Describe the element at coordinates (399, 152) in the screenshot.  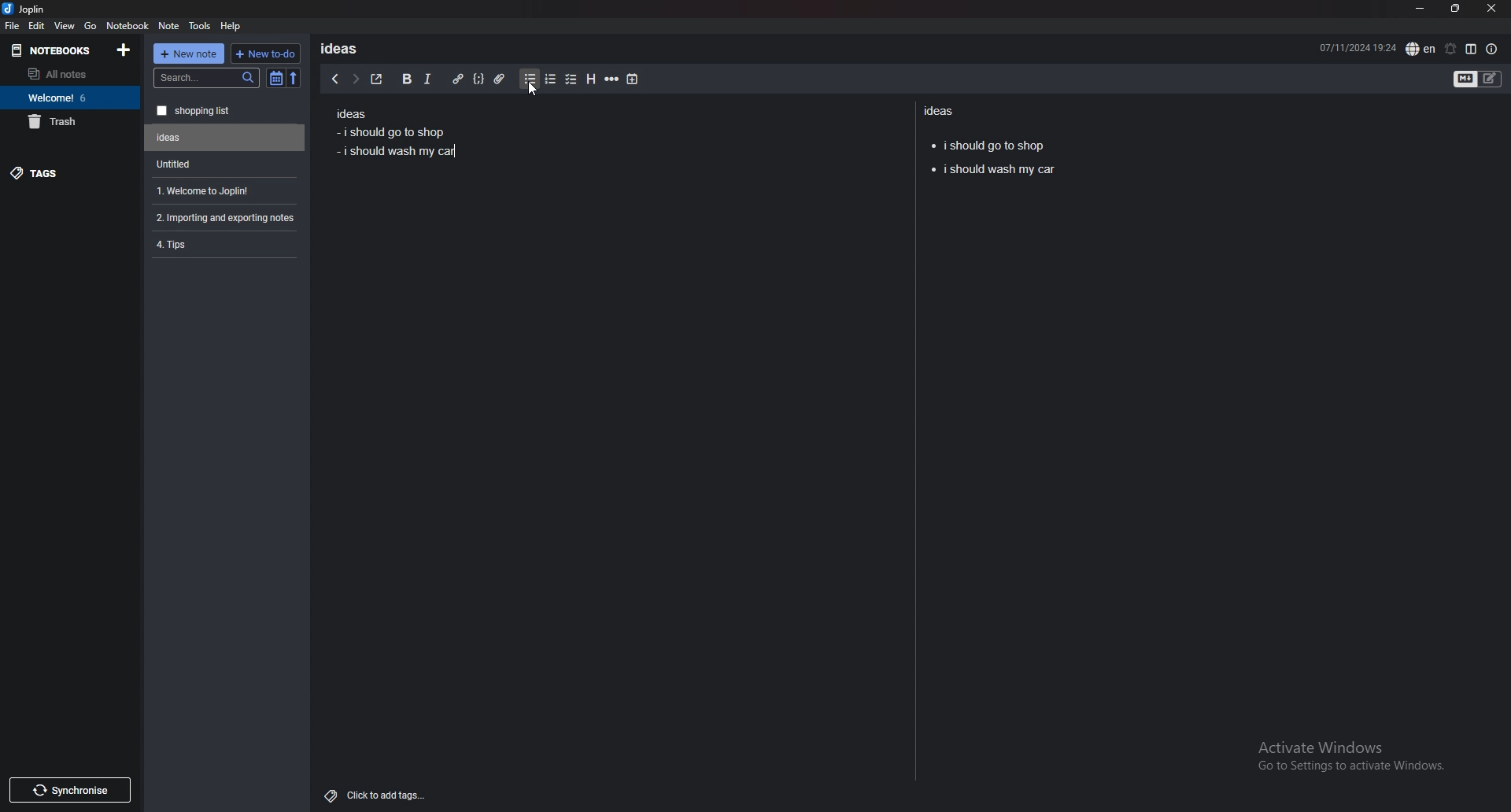
I see `i should wash my car` at that location.